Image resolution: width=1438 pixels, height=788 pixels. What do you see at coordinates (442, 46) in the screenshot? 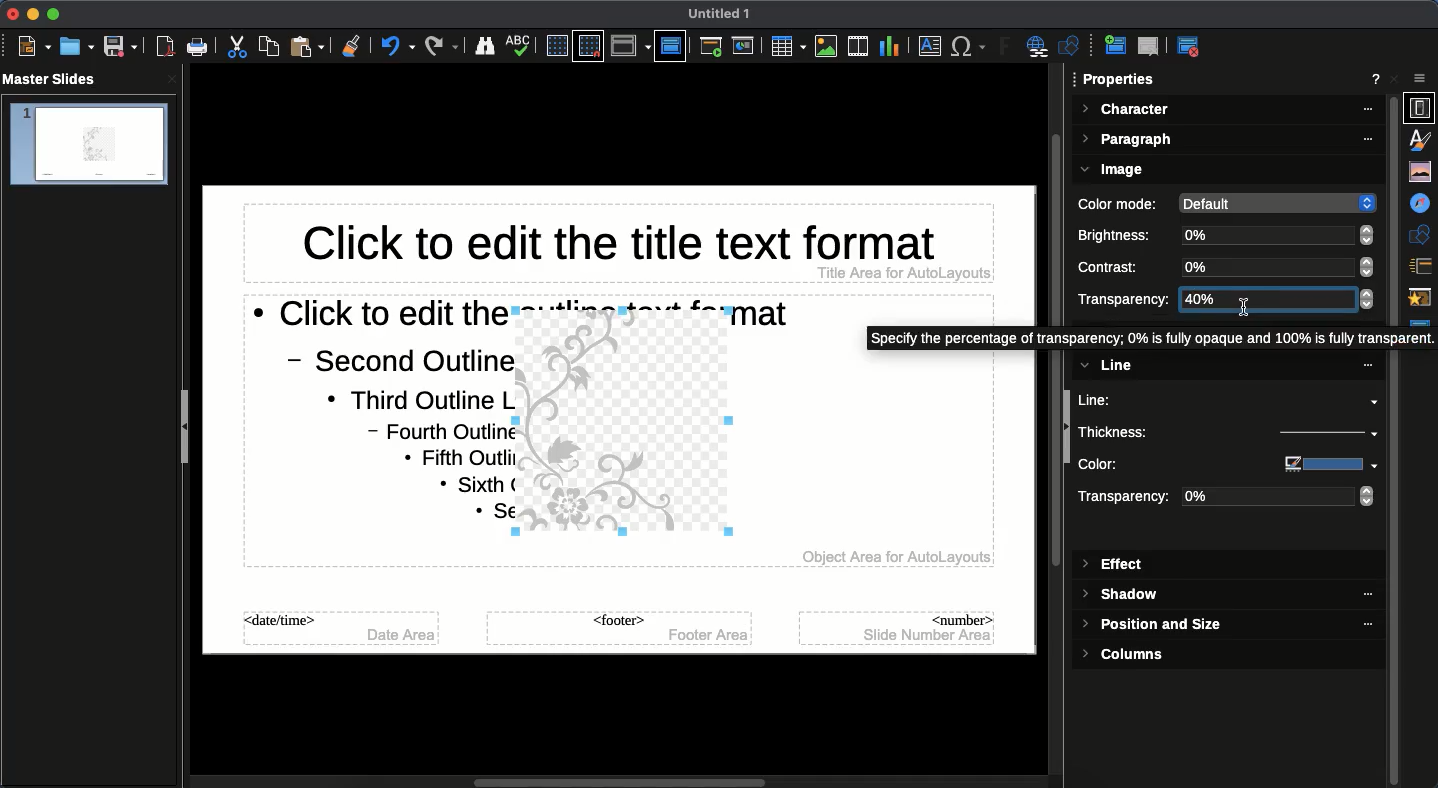
I see `Redo` at bounding box center [442, 46].